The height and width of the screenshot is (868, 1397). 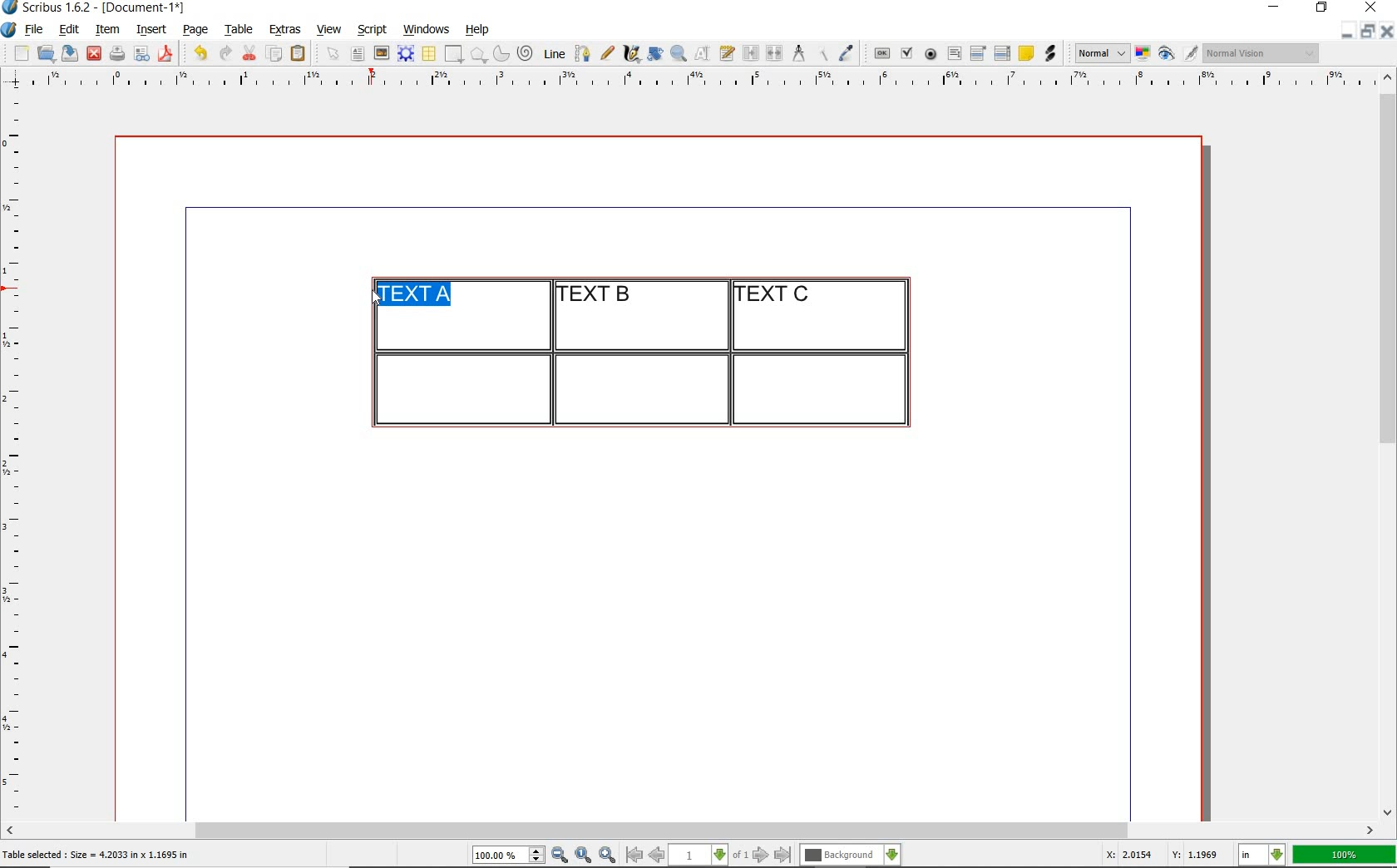 What do you see at coordinates (249, 52) in the screenshot?
I see `cut` at bounding box center [249, 52].